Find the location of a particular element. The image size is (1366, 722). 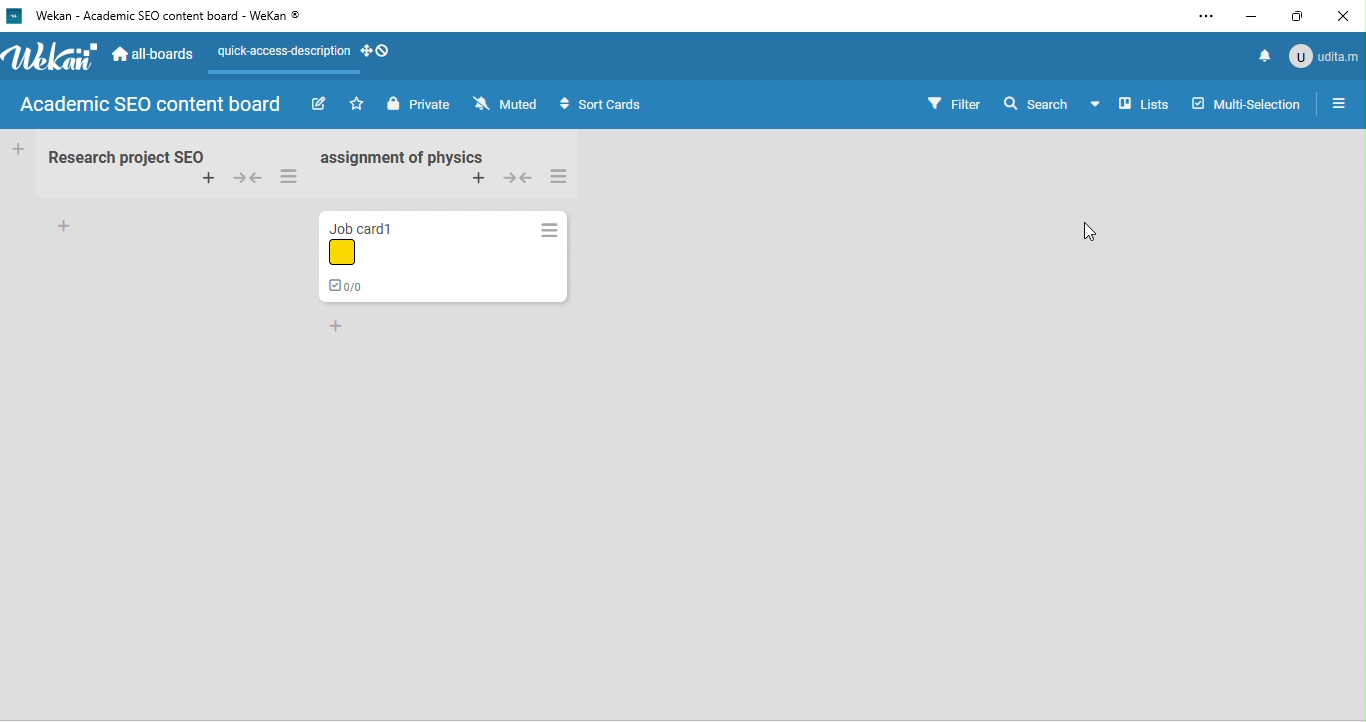

private is located at coordinates (418, 103).